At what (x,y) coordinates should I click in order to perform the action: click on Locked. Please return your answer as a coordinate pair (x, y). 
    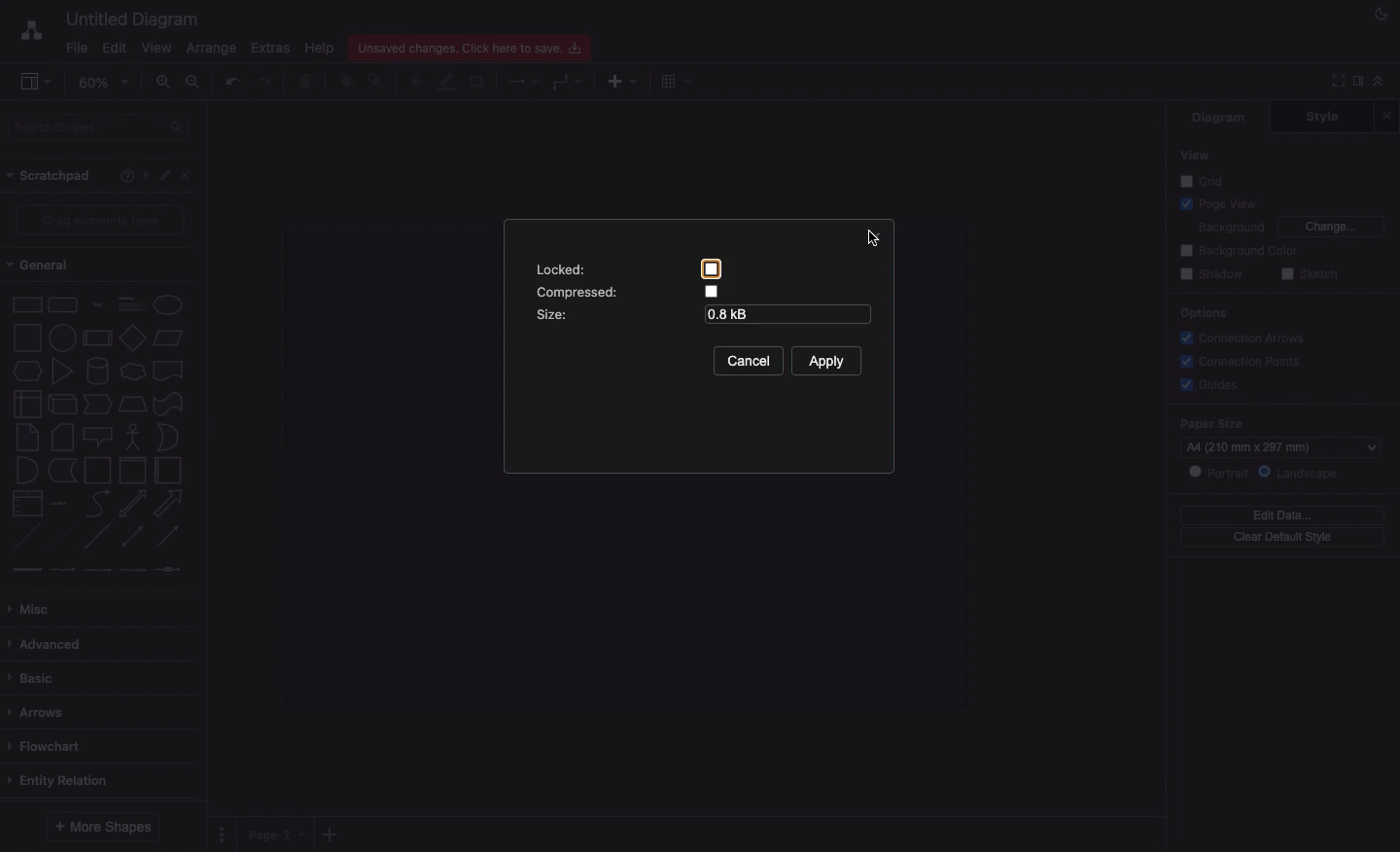
    Looking at the image, I should click on (629, 269).